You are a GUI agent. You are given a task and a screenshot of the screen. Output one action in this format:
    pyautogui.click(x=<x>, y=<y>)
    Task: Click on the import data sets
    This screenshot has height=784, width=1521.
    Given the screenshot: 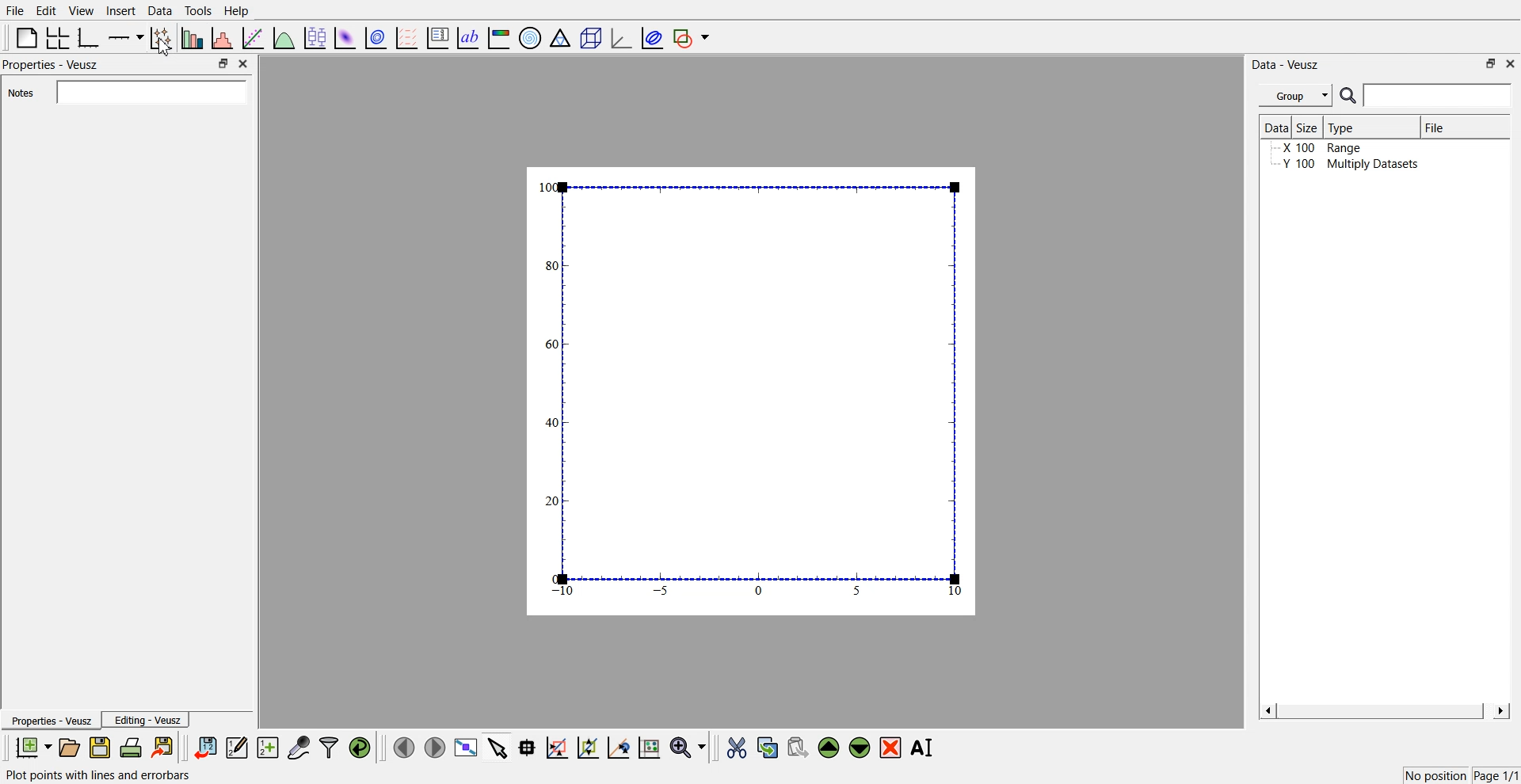 What is the action you would take?
    pyautogui.click(x=204, y=748)
    